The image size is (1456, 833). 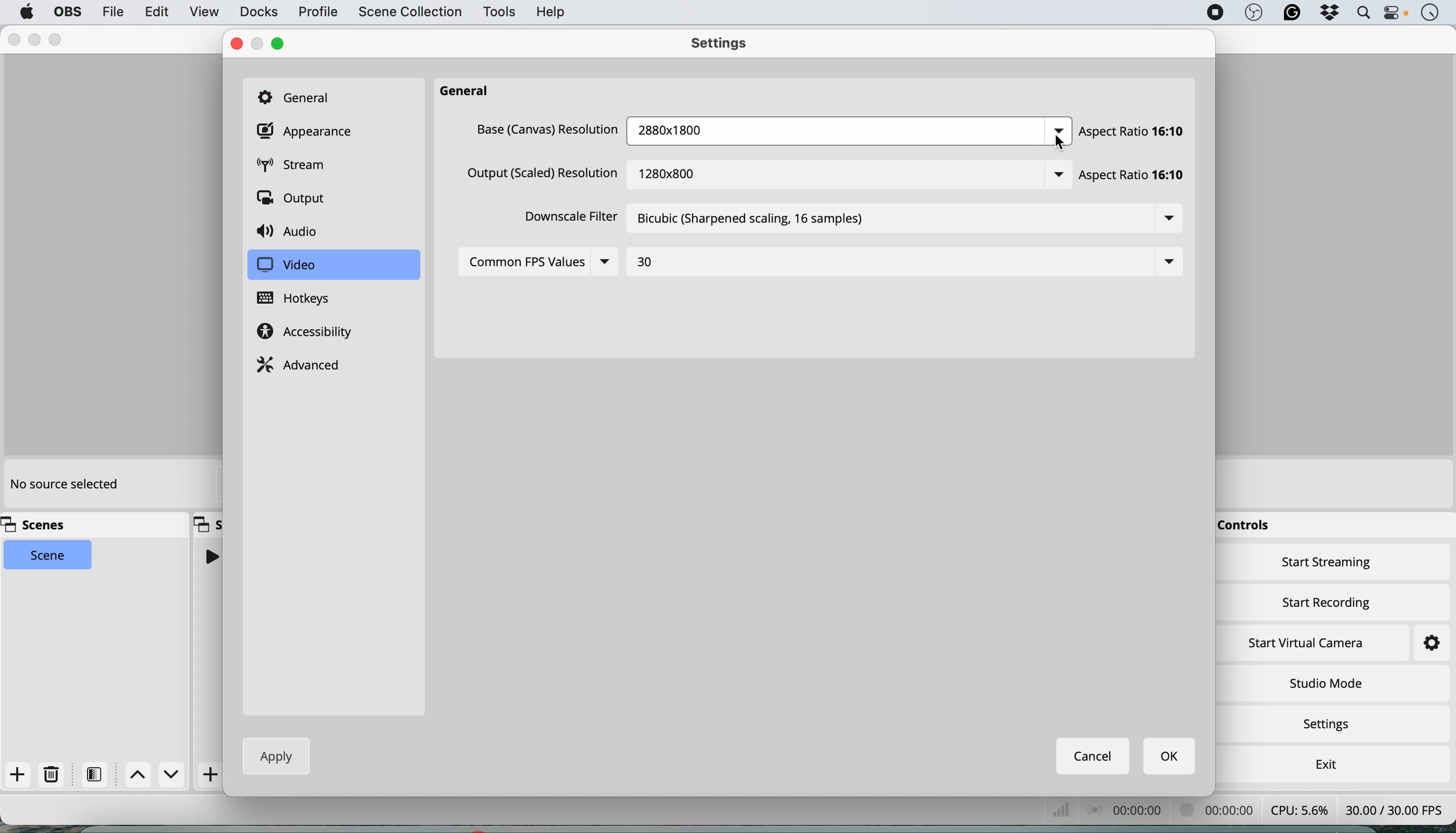 I want to click on general, so click(x=470, y=92).